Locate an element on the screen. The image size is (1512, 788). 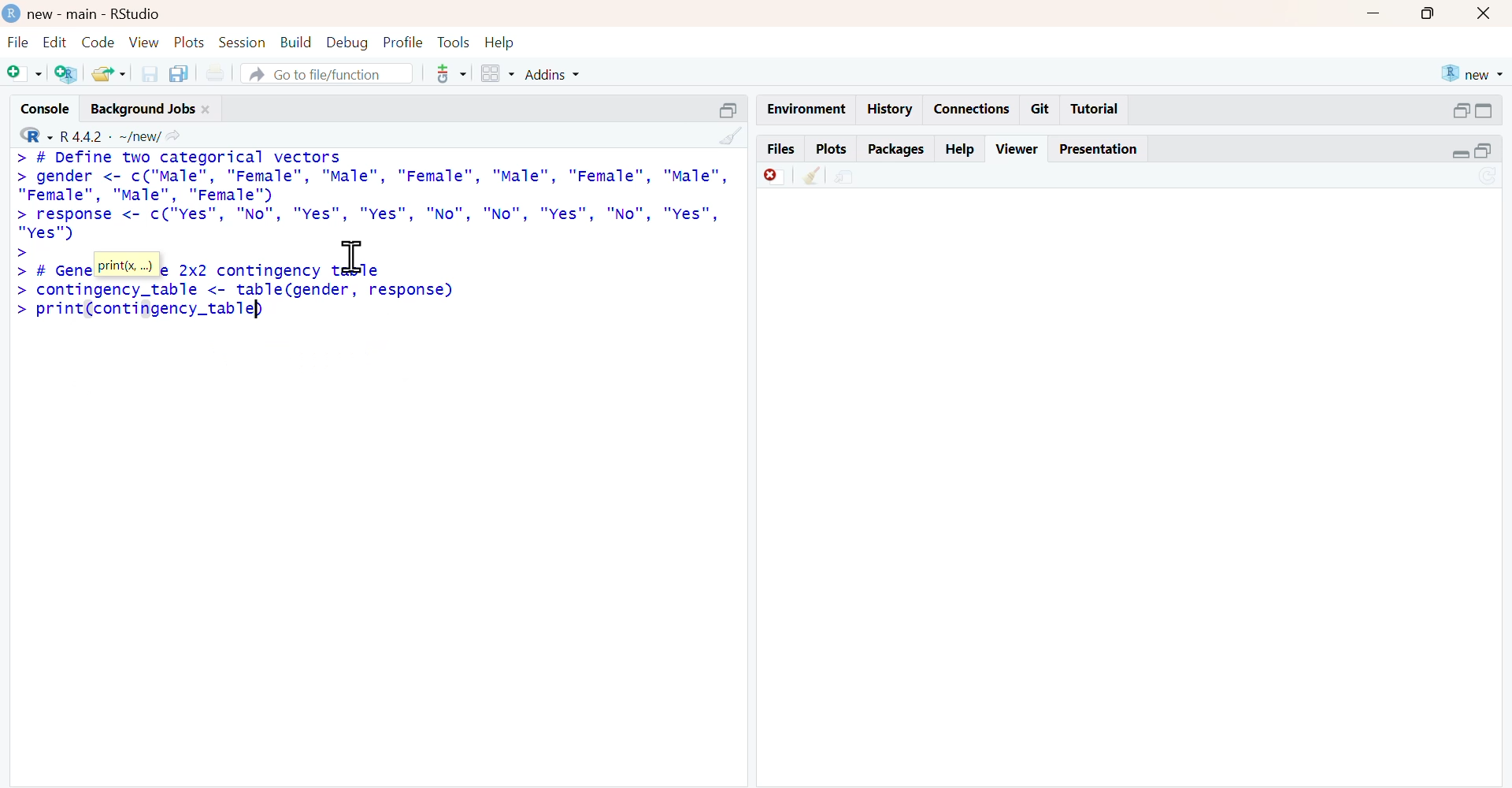
add R file is located at coordinates (69, 74).